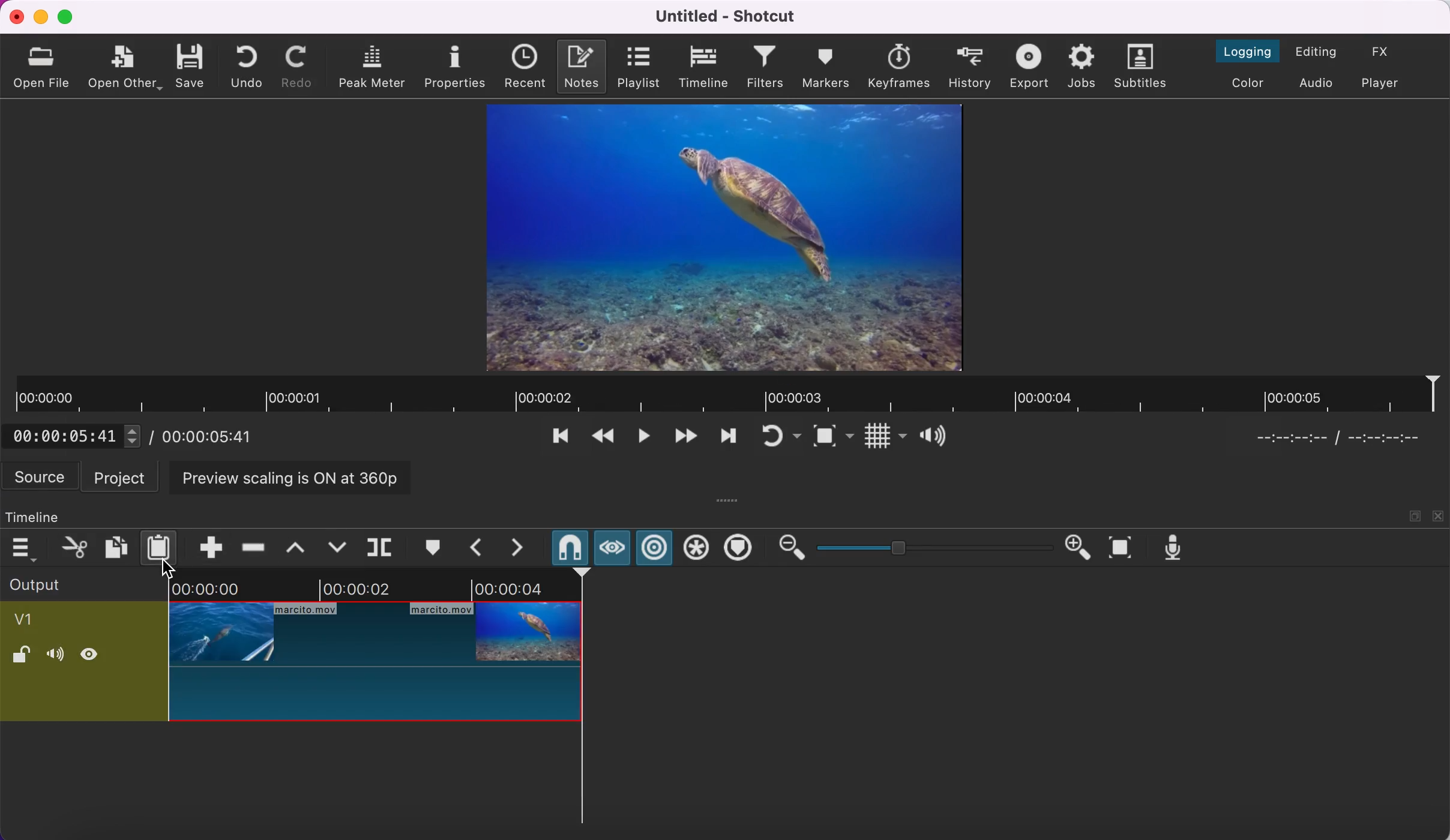 Image resolution: width=1450 pixels, height=840 pixels. I want to click on more, so click(730, 499).